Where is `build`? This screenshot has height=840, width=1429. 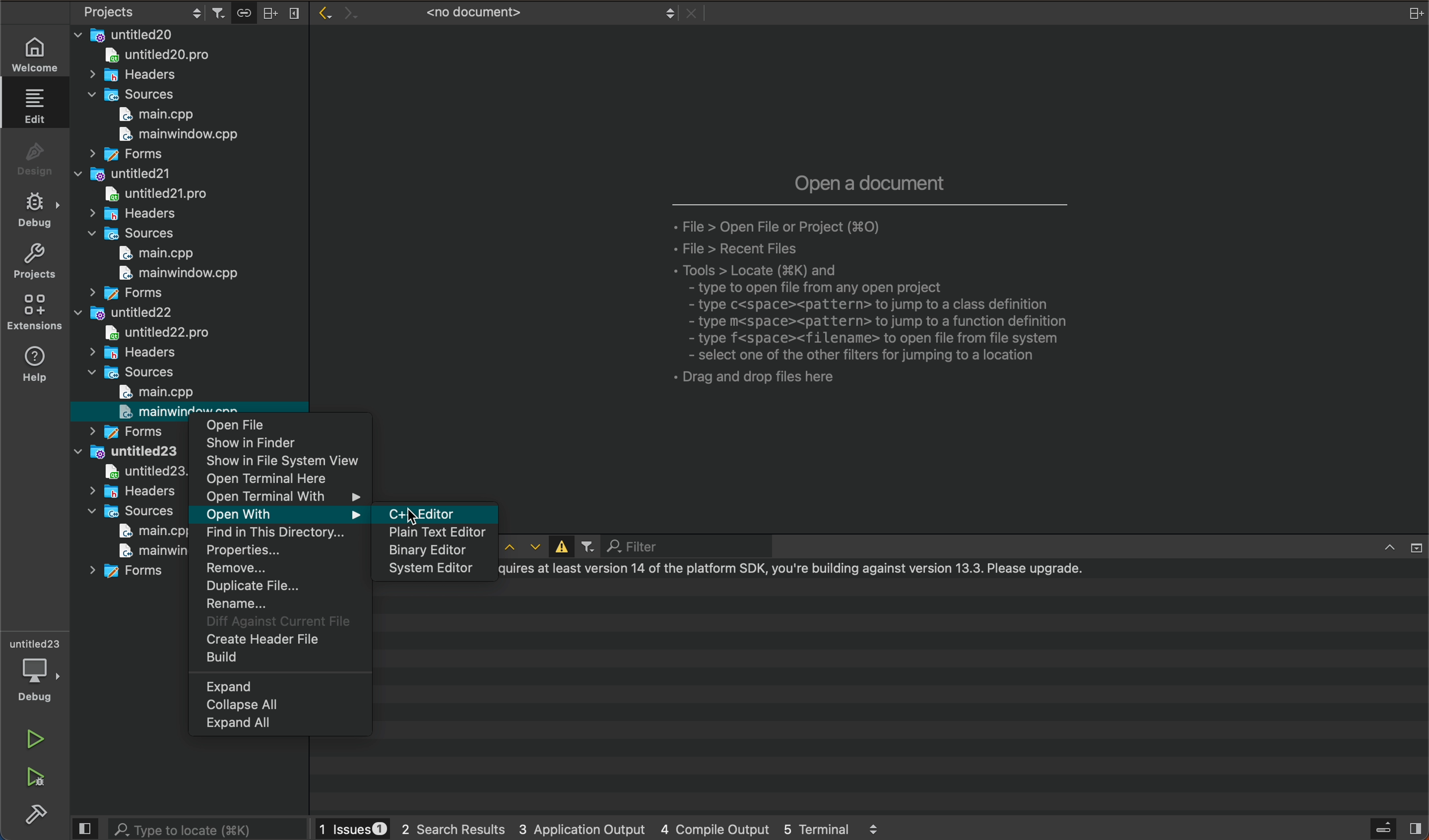 build is located at coordinates (277, 659).